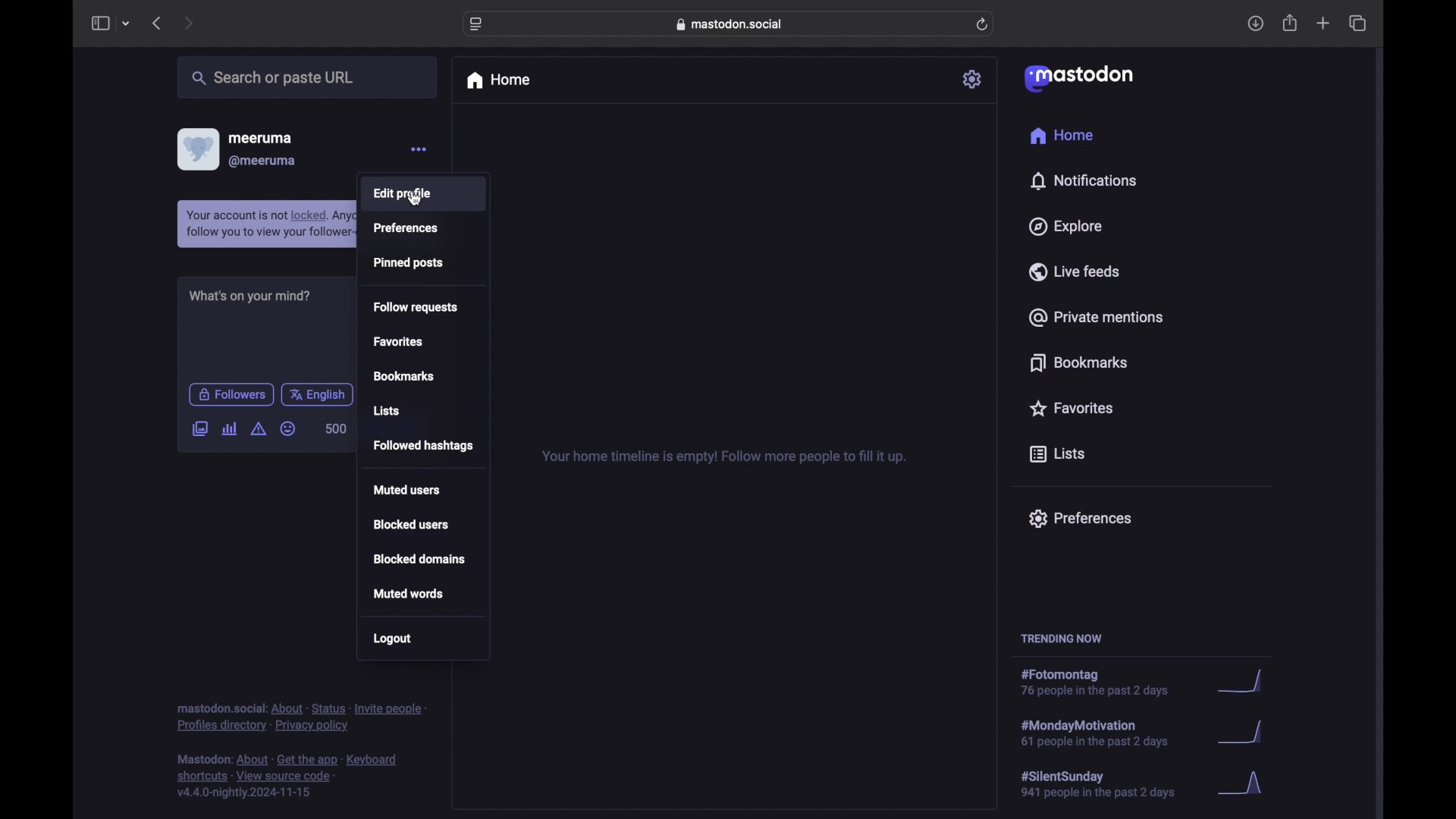 Image resolution: width=1456 pixels, height=819 pixels. Describe the element at coordinates (1073, 409) in the screenshot. I see `favorites` at that location.